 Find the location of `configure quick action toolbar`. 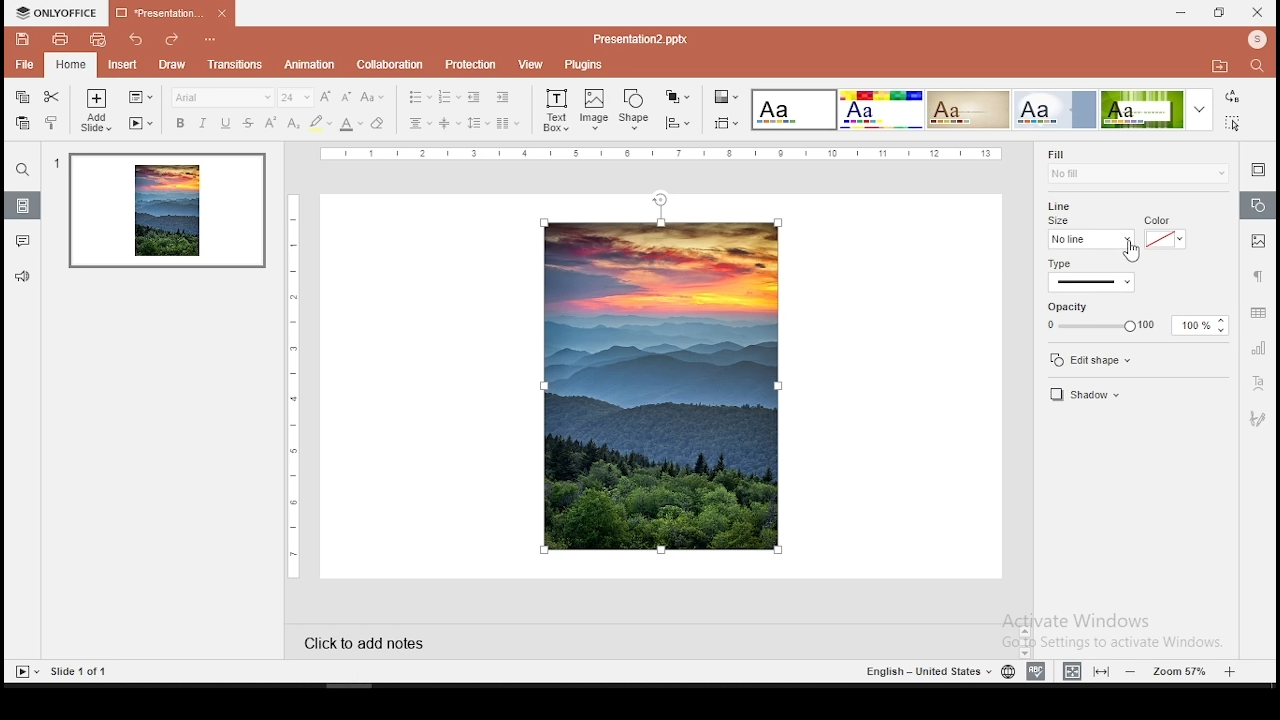

configure quick action toolbar is located at coordinates (208, 41).